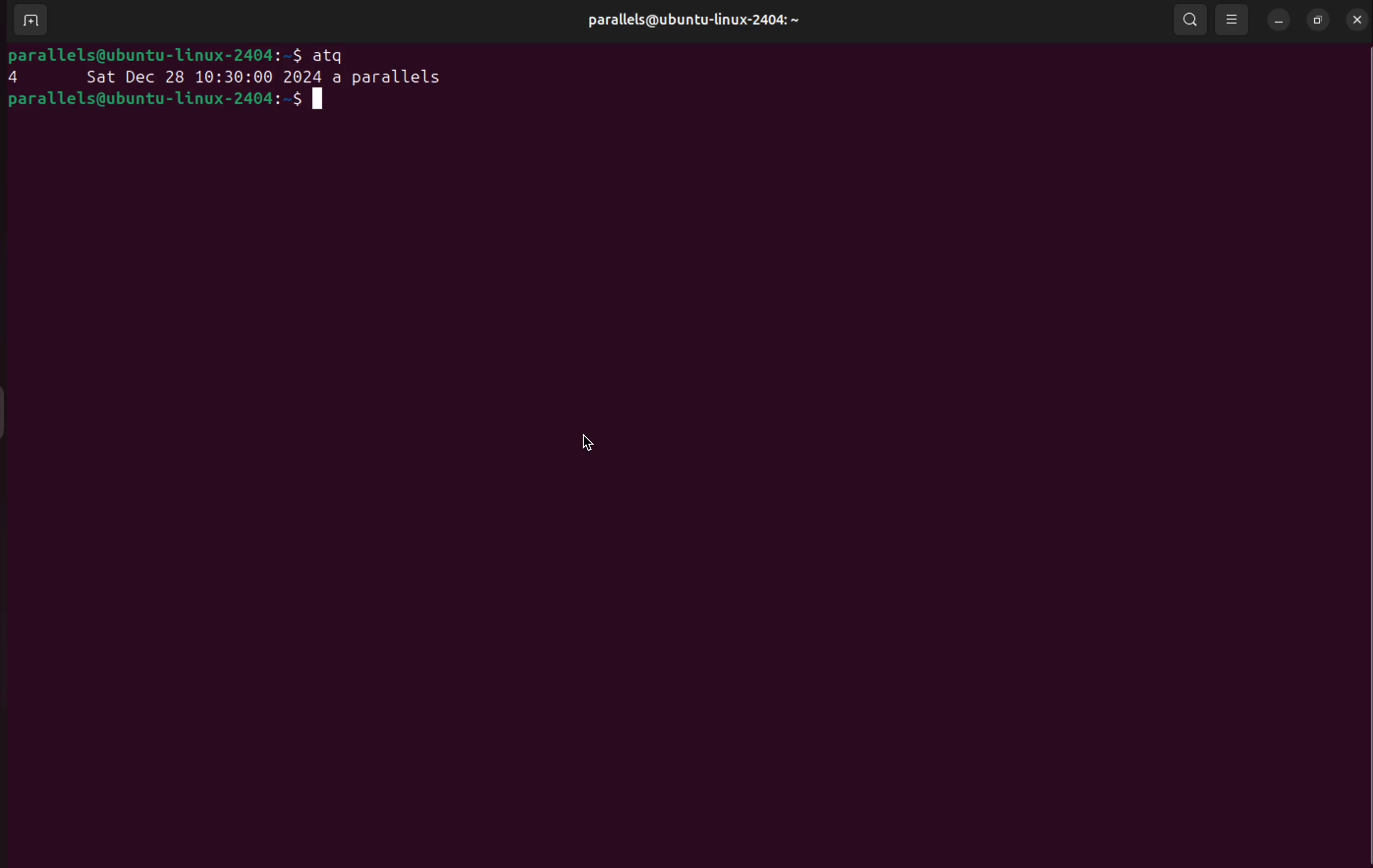 The width and height of the screenshot is (1373, 868). I want to click on task 4, so click(234, 78).